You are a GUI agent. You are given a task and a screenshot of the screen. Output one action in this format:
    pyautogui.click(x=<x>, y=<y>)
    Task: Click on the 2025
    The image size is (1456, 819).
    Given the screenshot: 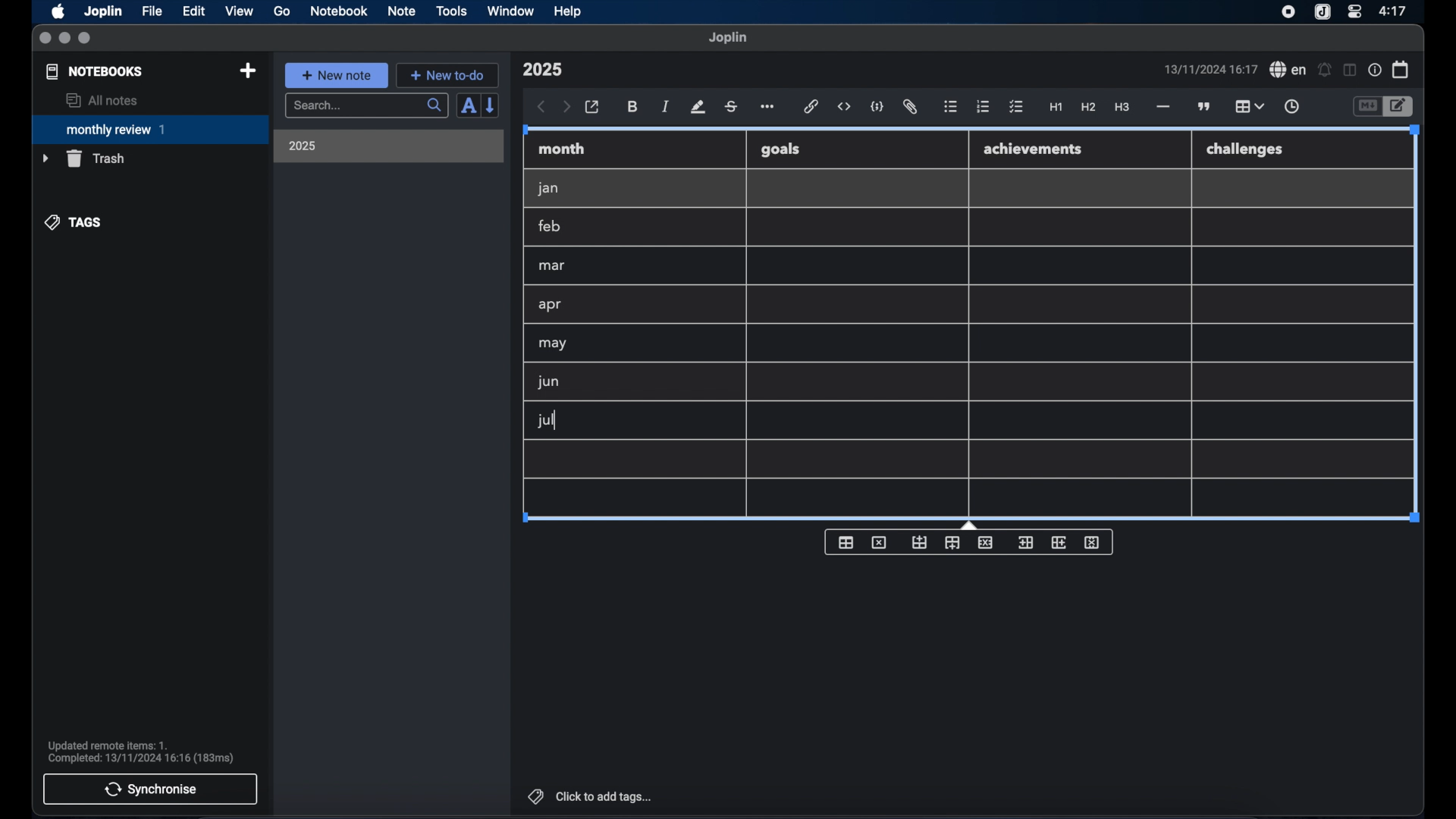 What is the action you would take?
    pyautogui.click(x=303, y=146)
    